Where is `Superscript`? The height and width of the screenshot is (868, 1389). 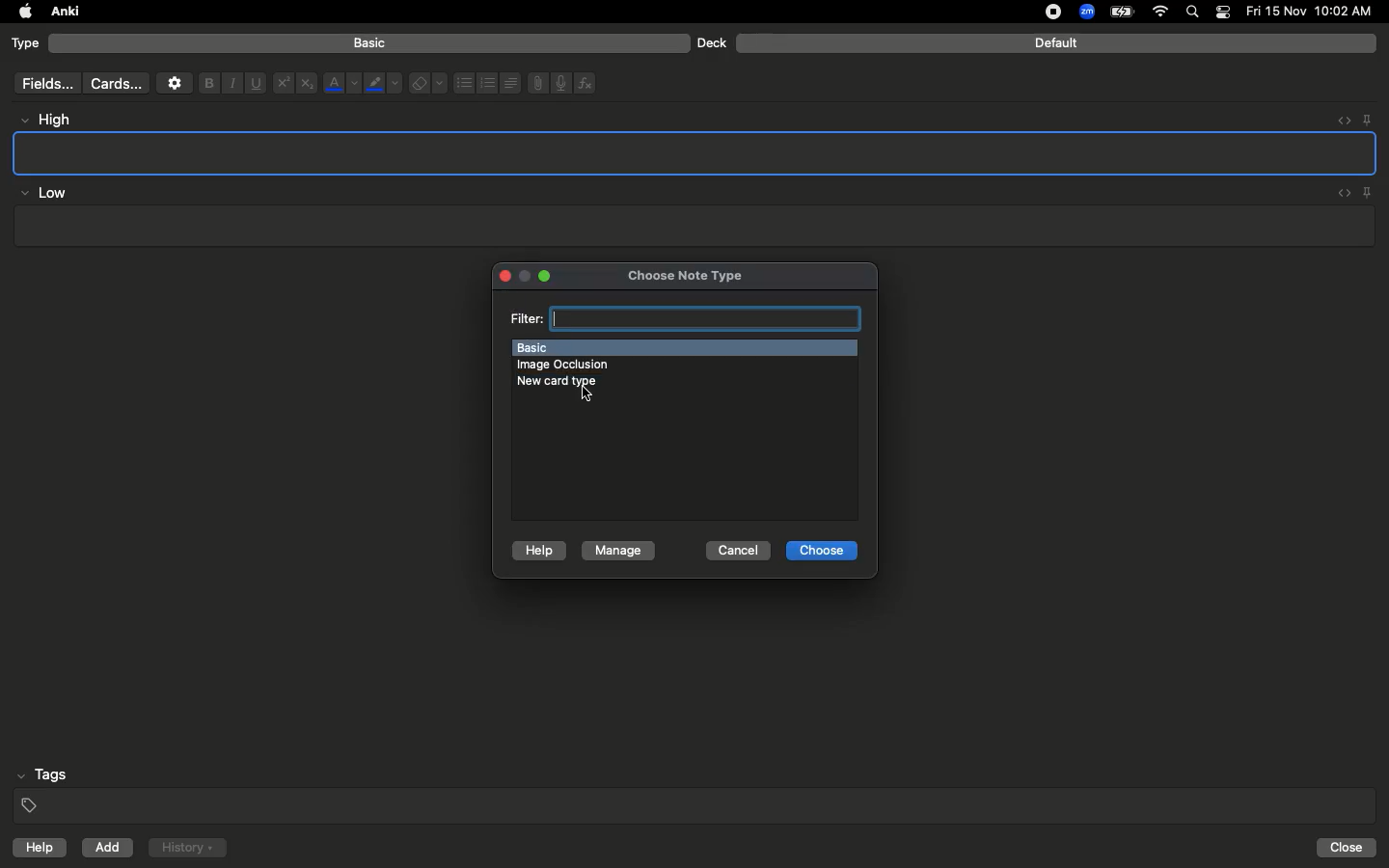
Superscript is located at coordinates (282, 84).